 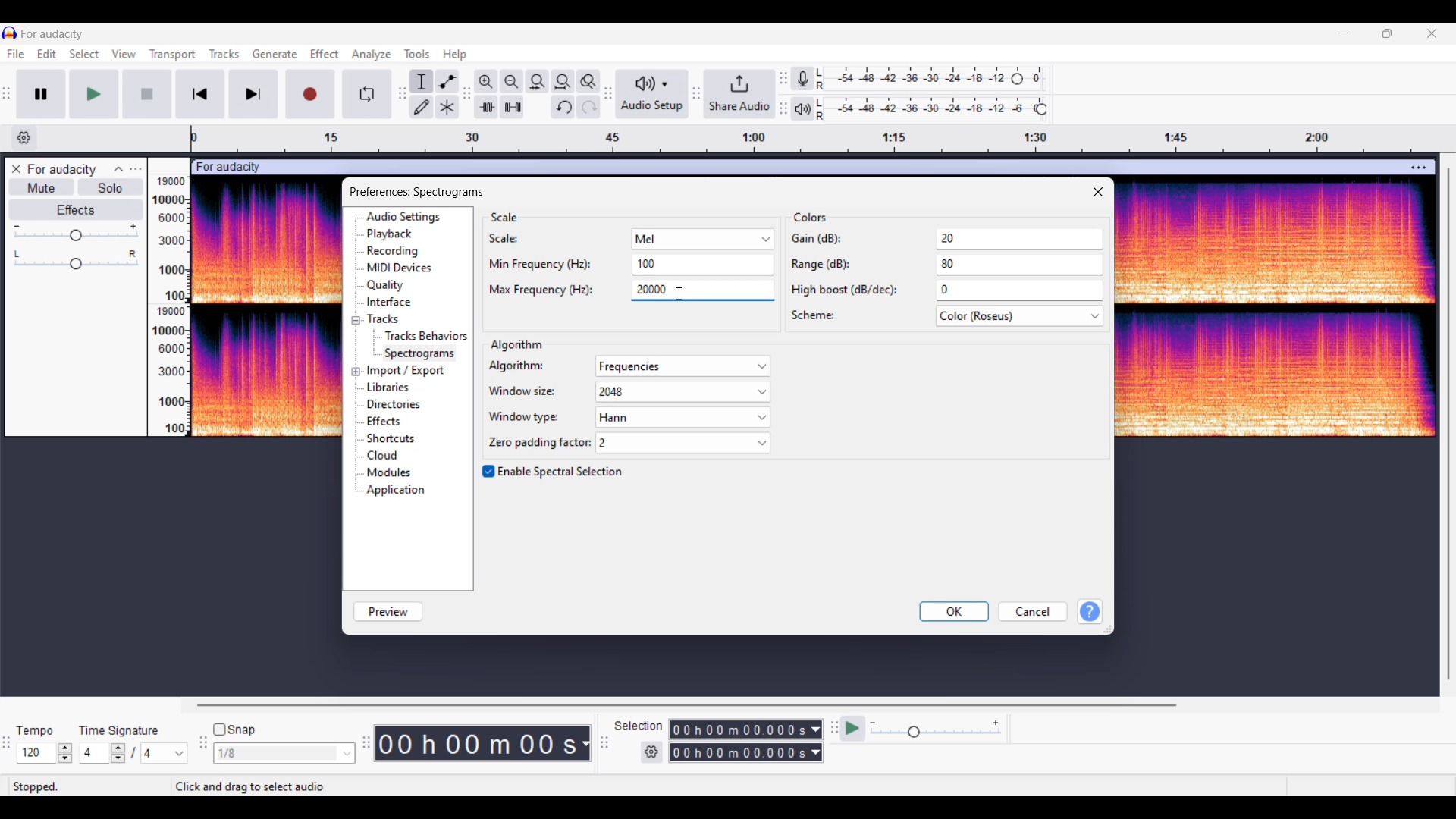 What do you see at coordinates (325, 54) in the screenshot?
I see `Effect menu` at bounding box center [325, 54].